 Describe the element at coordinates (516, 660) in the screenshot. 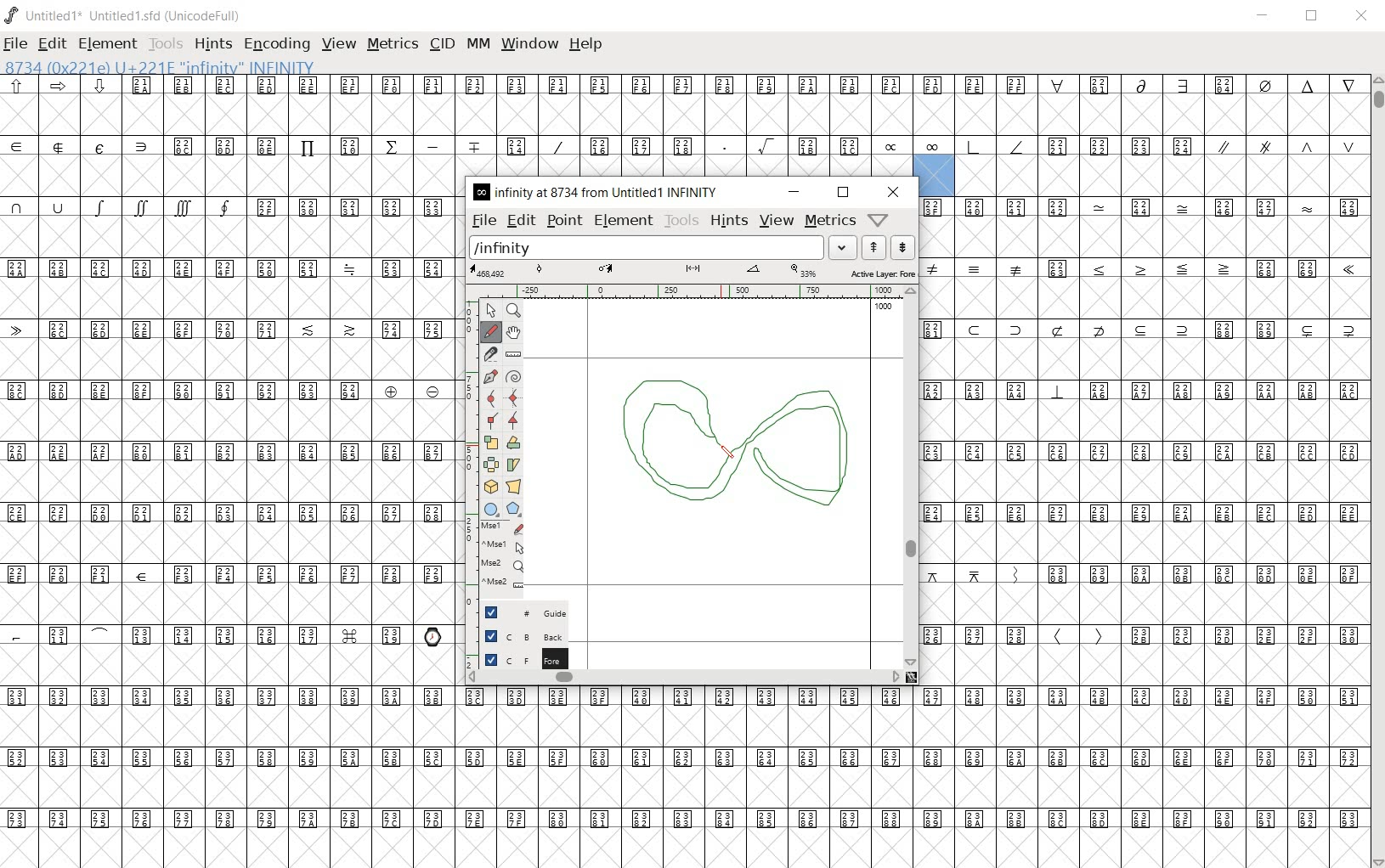

I see `foreground` at that location.